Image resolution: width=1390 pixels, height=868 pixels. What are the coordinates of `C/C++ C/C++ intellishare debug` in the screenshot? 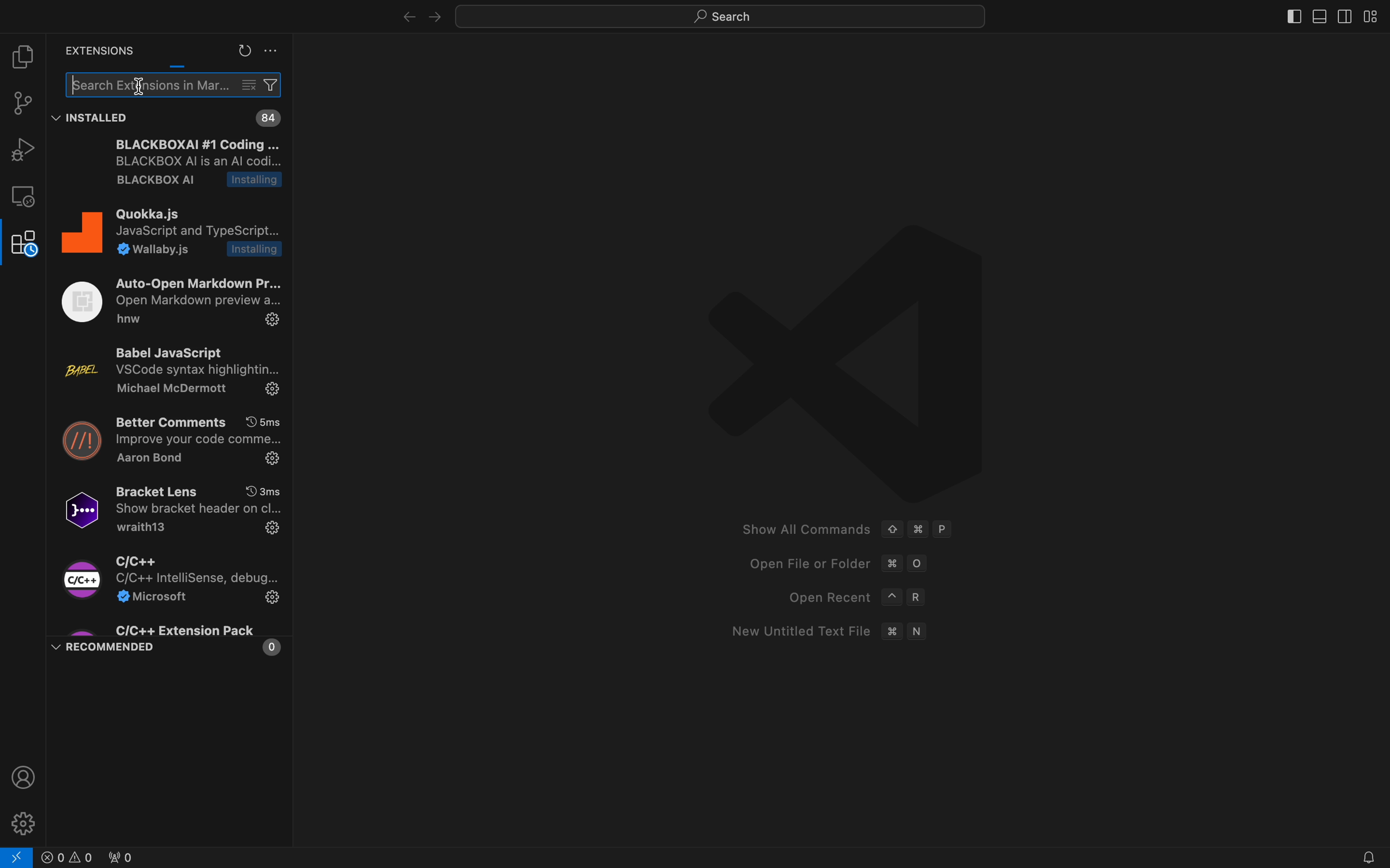 It's located at (177, 584).